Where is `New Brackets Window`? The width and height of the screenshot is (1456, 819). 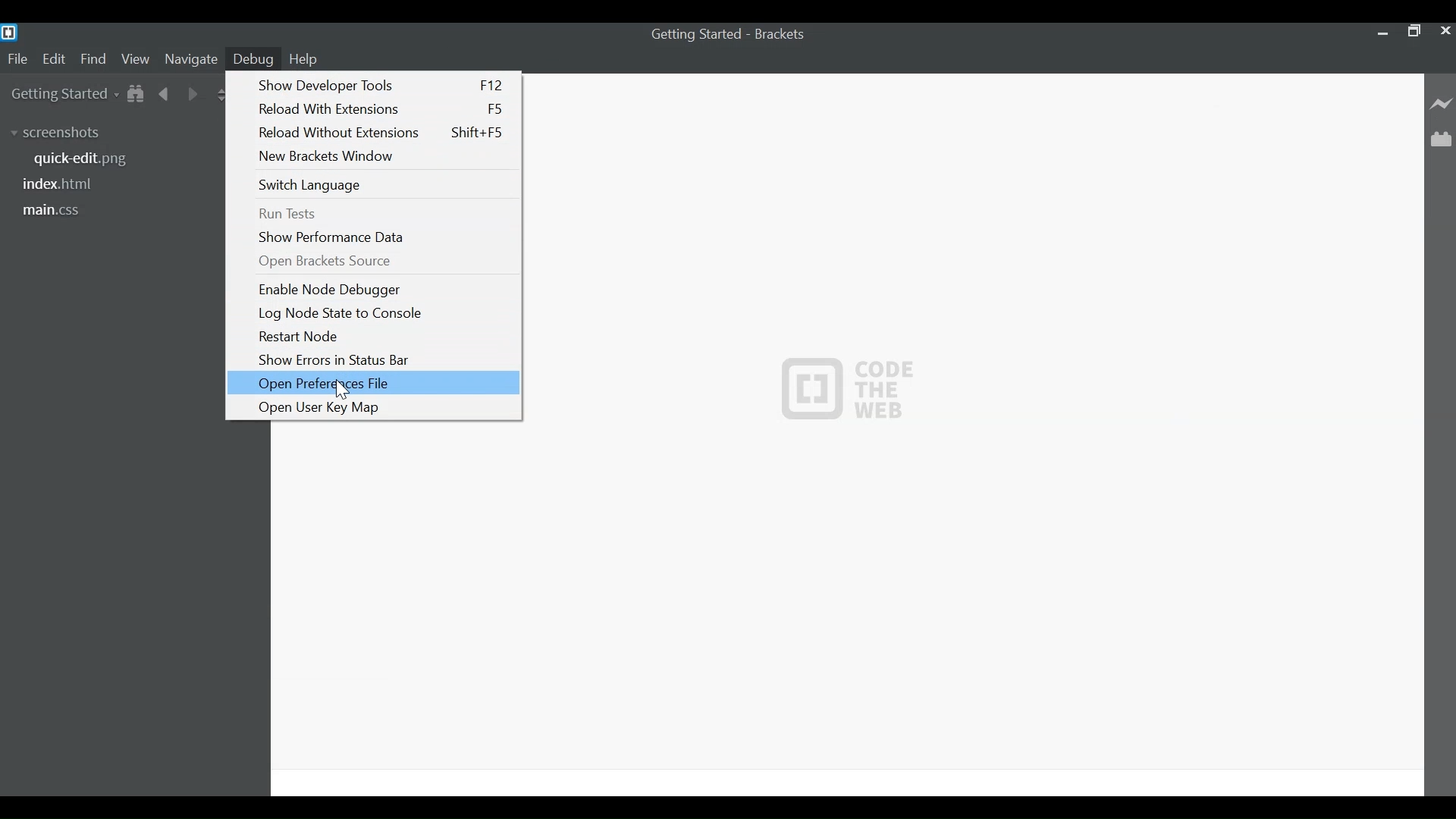 New Brackets Window is located at coordinates (380, 155).